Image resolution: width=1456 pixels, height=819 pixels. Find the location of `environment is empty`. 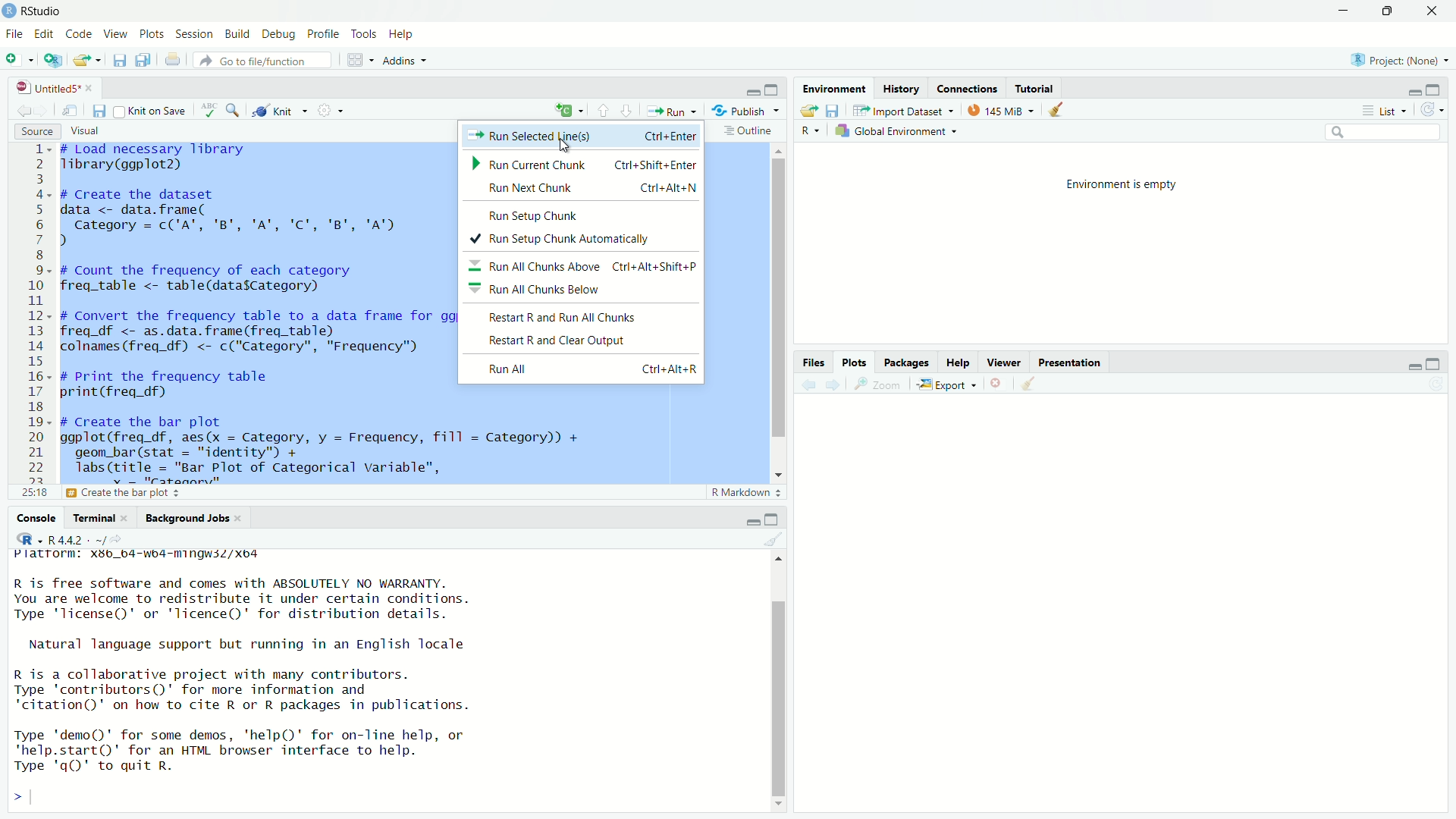

environment is empty is located at coordinates (1122, 184).